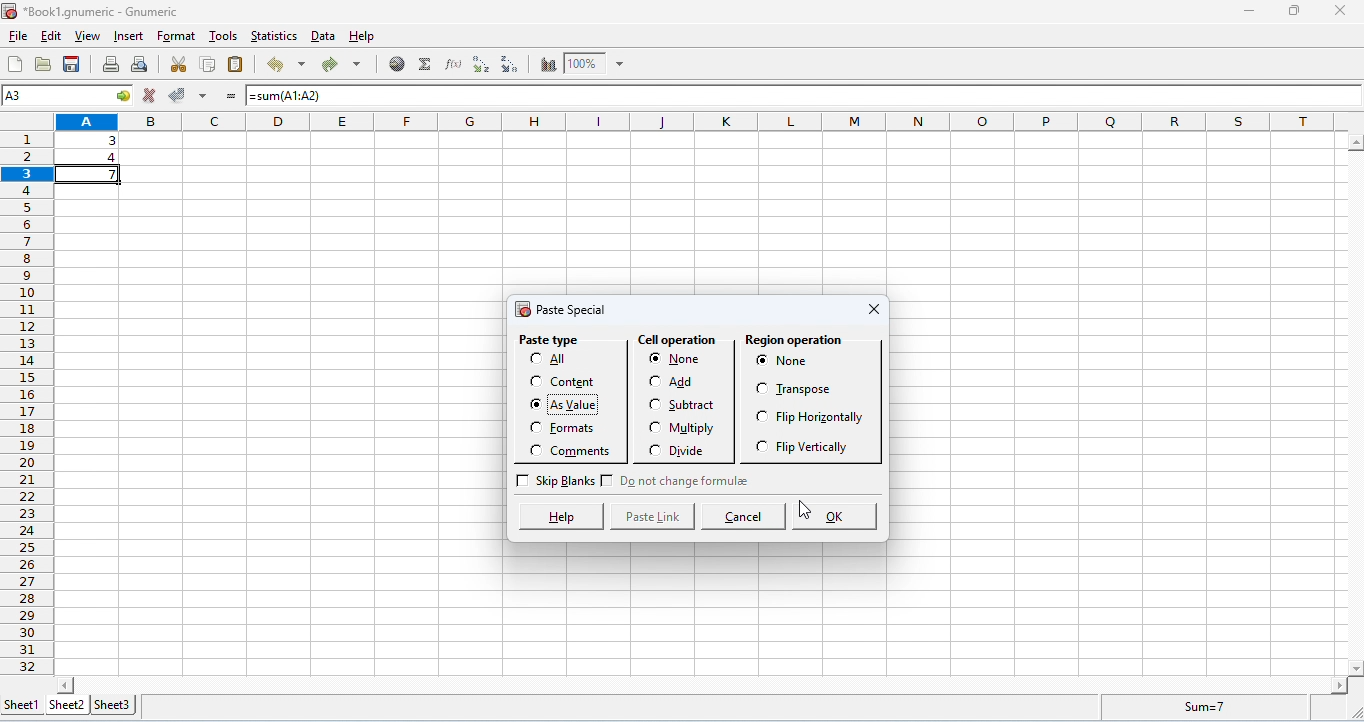 The height and width of the screenshot is (722, 1364). Describe the element at coordinates (699, 121) in the screenshot. I see `column headings` at that location.